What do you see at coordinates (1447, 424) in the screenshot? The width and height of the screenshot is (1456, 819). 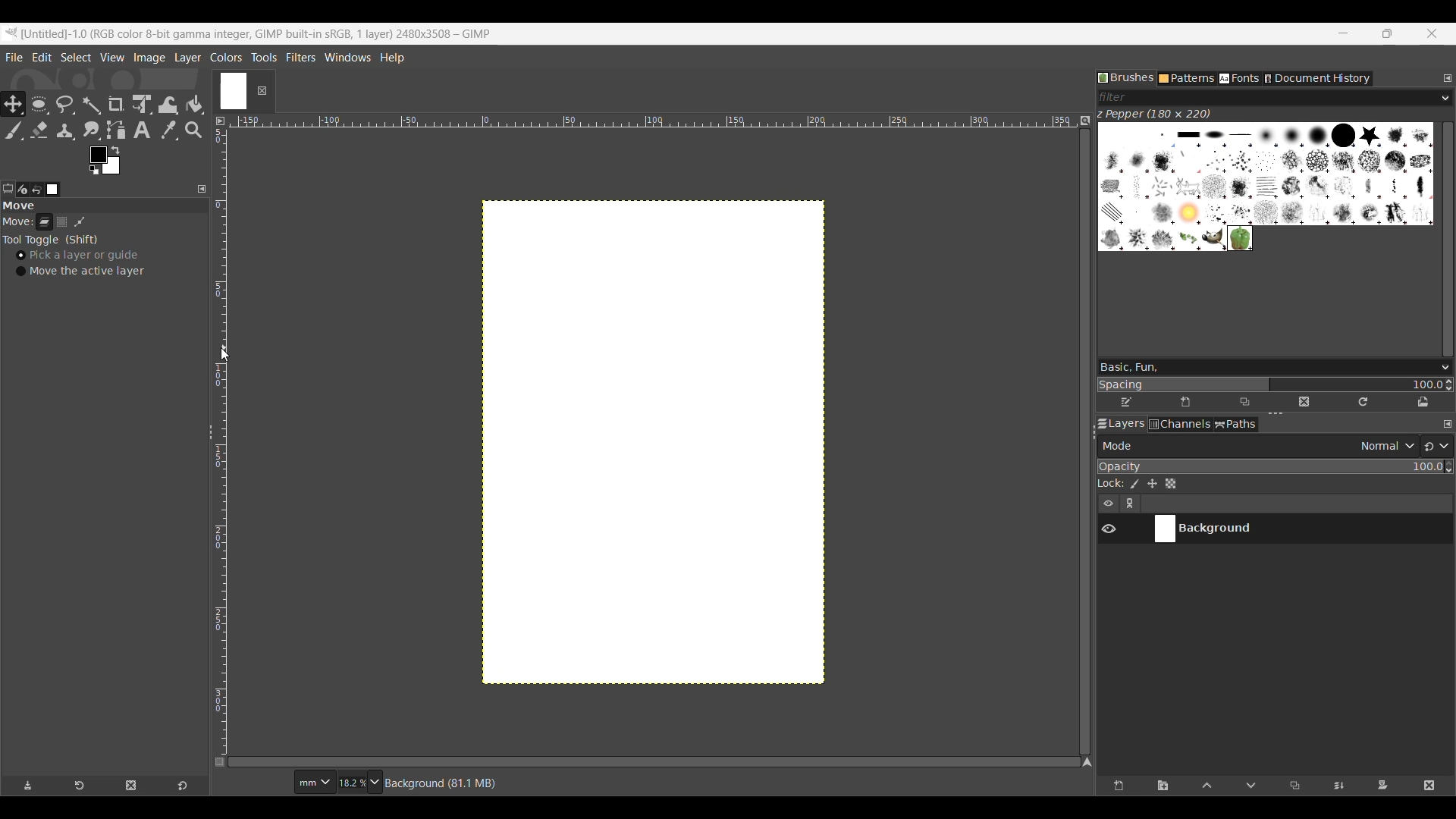 I see `Configure this tab` at bounding box center [1447, 424].